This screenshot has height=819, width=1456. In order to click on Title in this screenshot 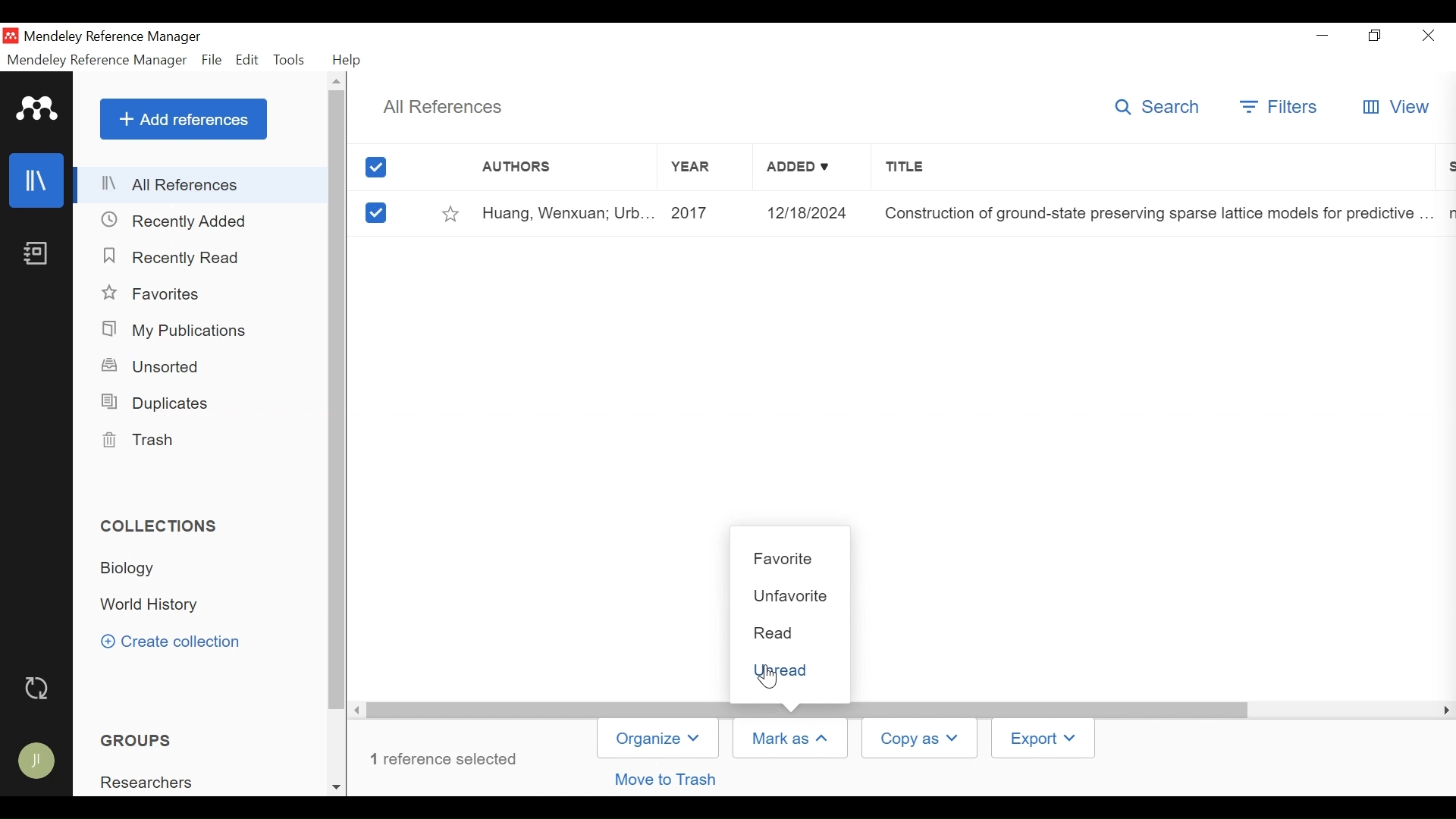, I will do `click(1158, 214)`.